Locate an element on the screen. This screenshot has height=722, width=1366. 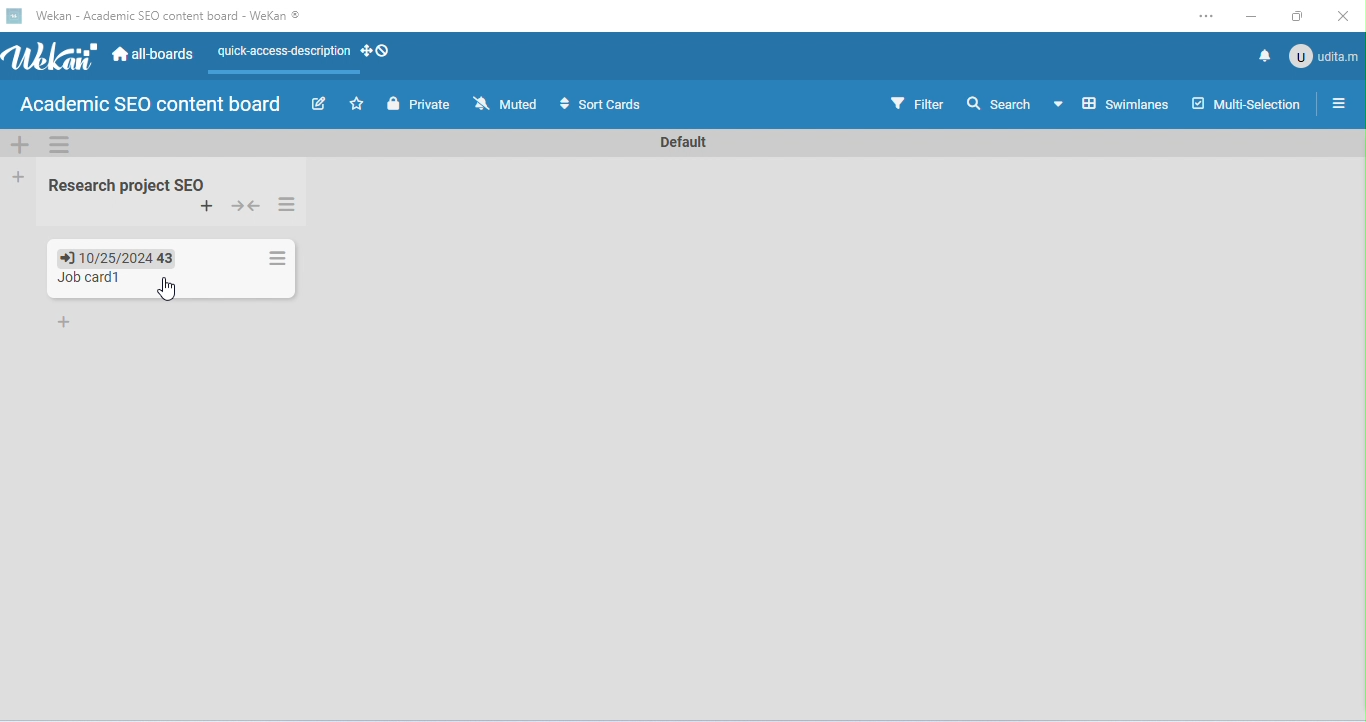
card name: Job card1 is located at coordinates (92, 278).